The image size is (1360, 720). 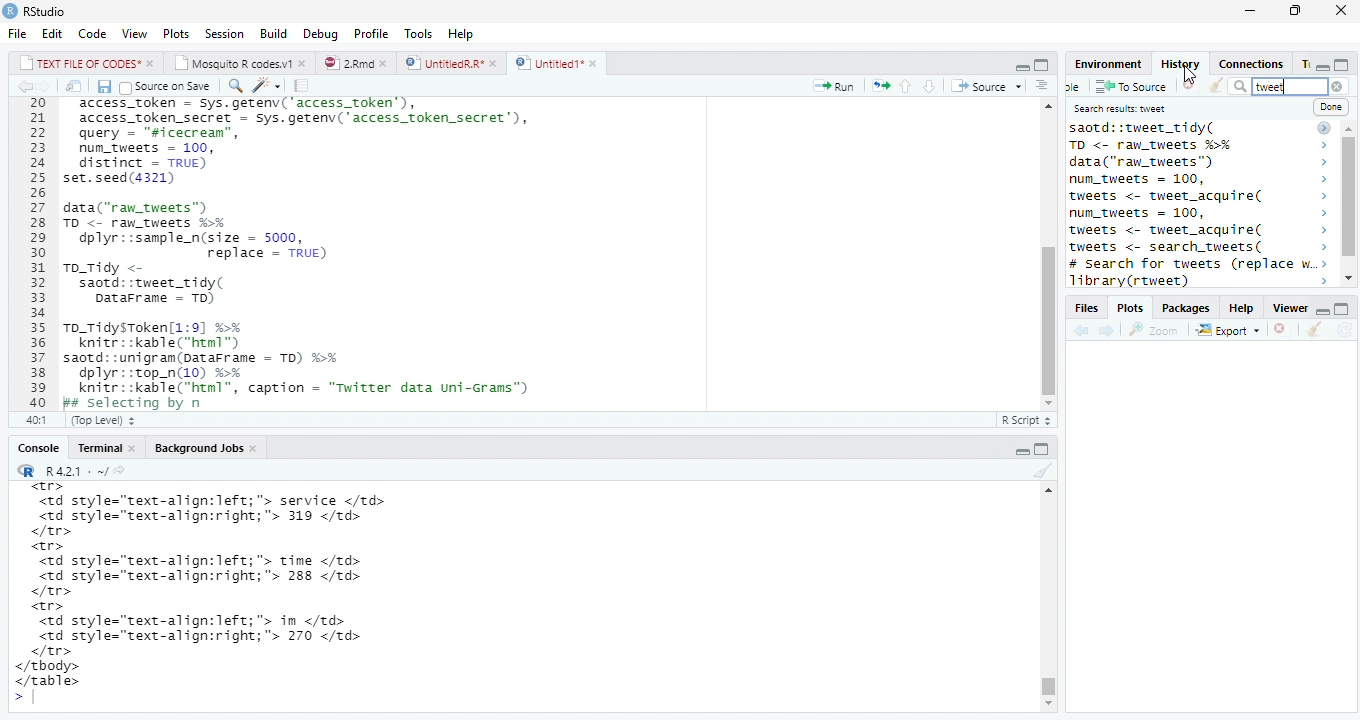 I want to click on Search results tweet, so click(x=1177, y=109).